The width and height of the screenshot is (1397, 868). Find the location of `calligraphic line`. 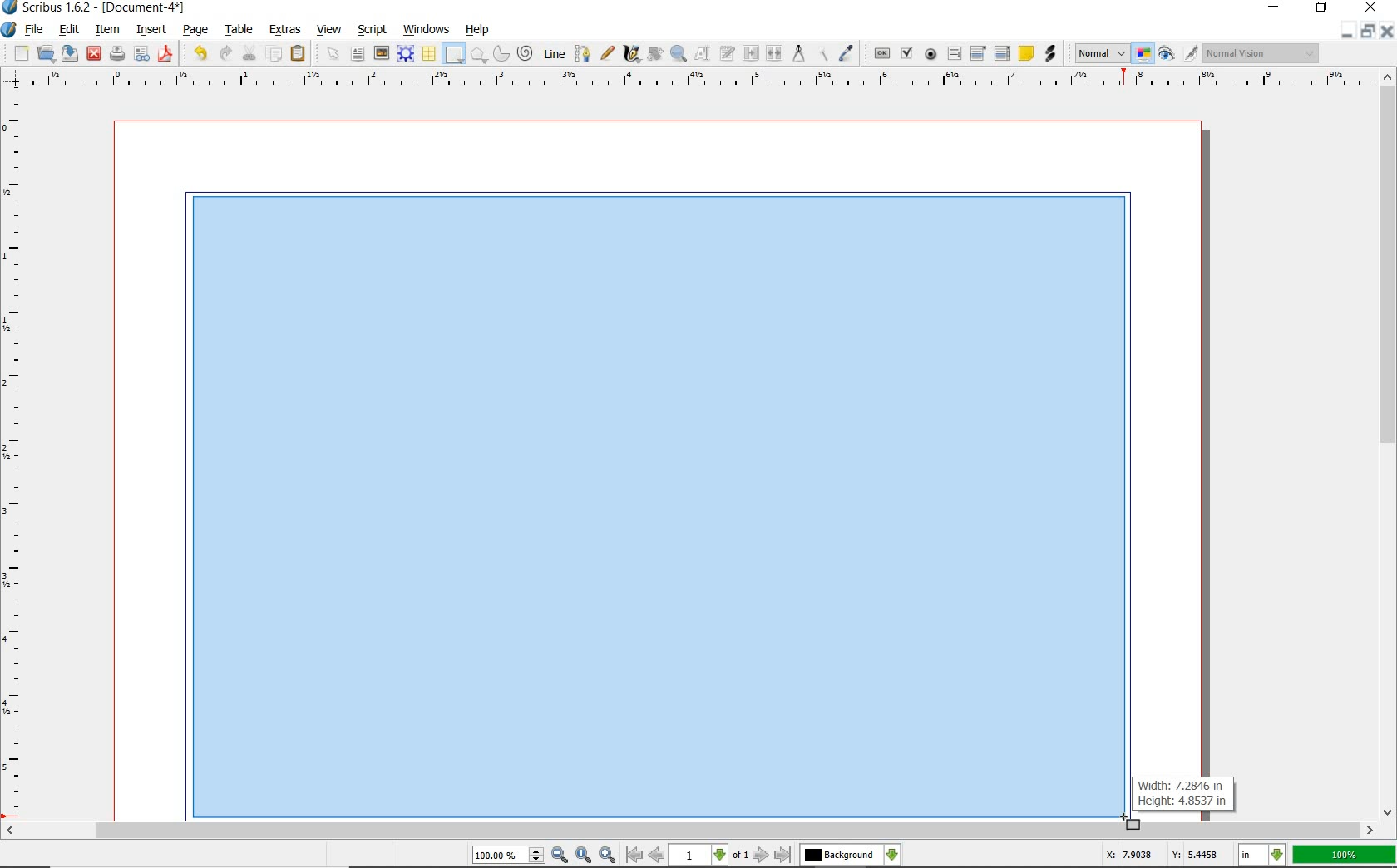

calligraphic line is located at coordinates (631, 53).